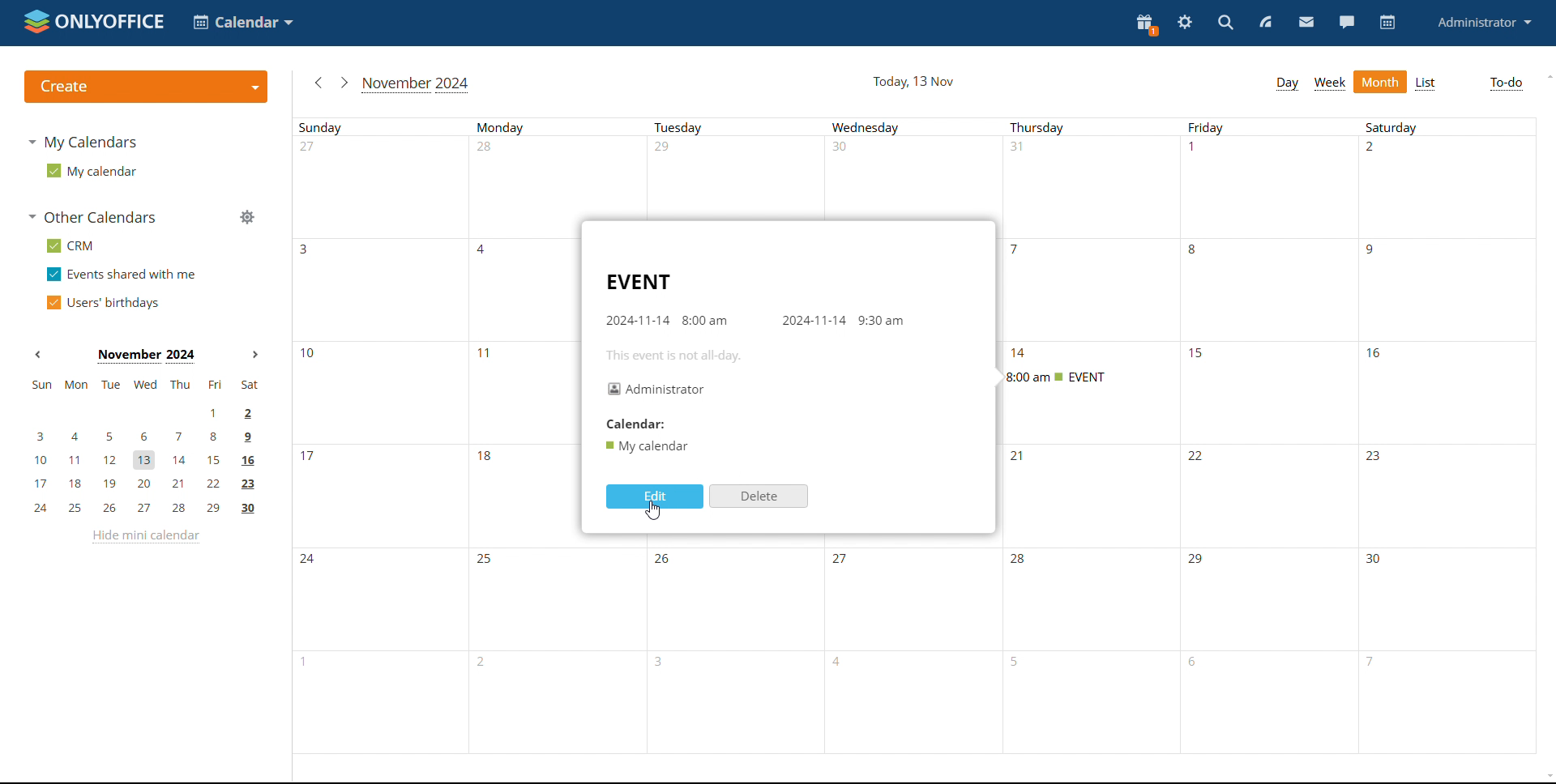 This screenshot has width=1556, height=784. Describe the element at coordinates (637, 424) in the screenshot. I see `calendar` at that location.